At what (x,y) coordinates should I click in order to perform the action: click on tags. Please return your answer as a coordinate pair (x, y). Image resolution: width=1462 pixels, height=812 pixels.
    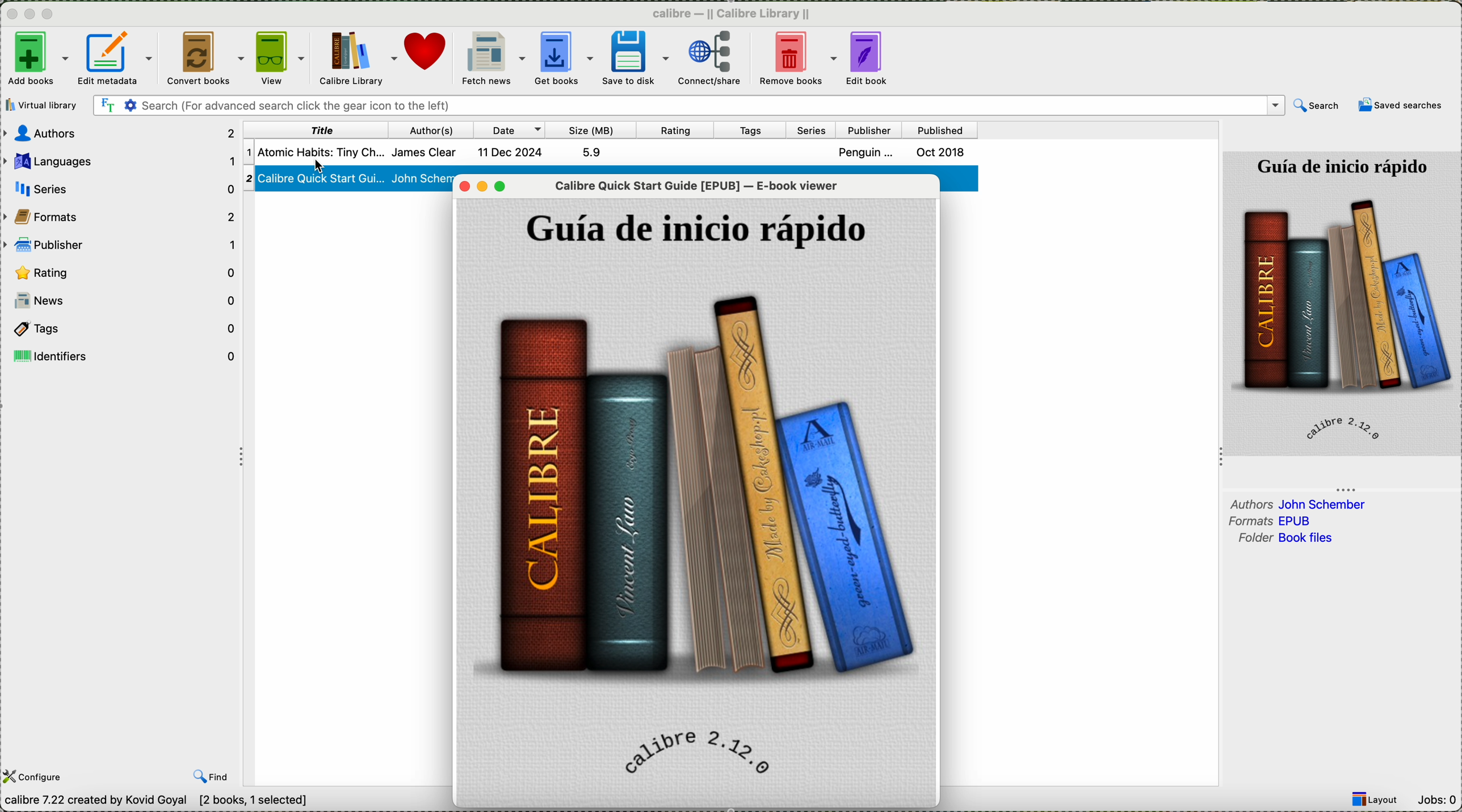
    Looking at the image, I should click on (125, 330).